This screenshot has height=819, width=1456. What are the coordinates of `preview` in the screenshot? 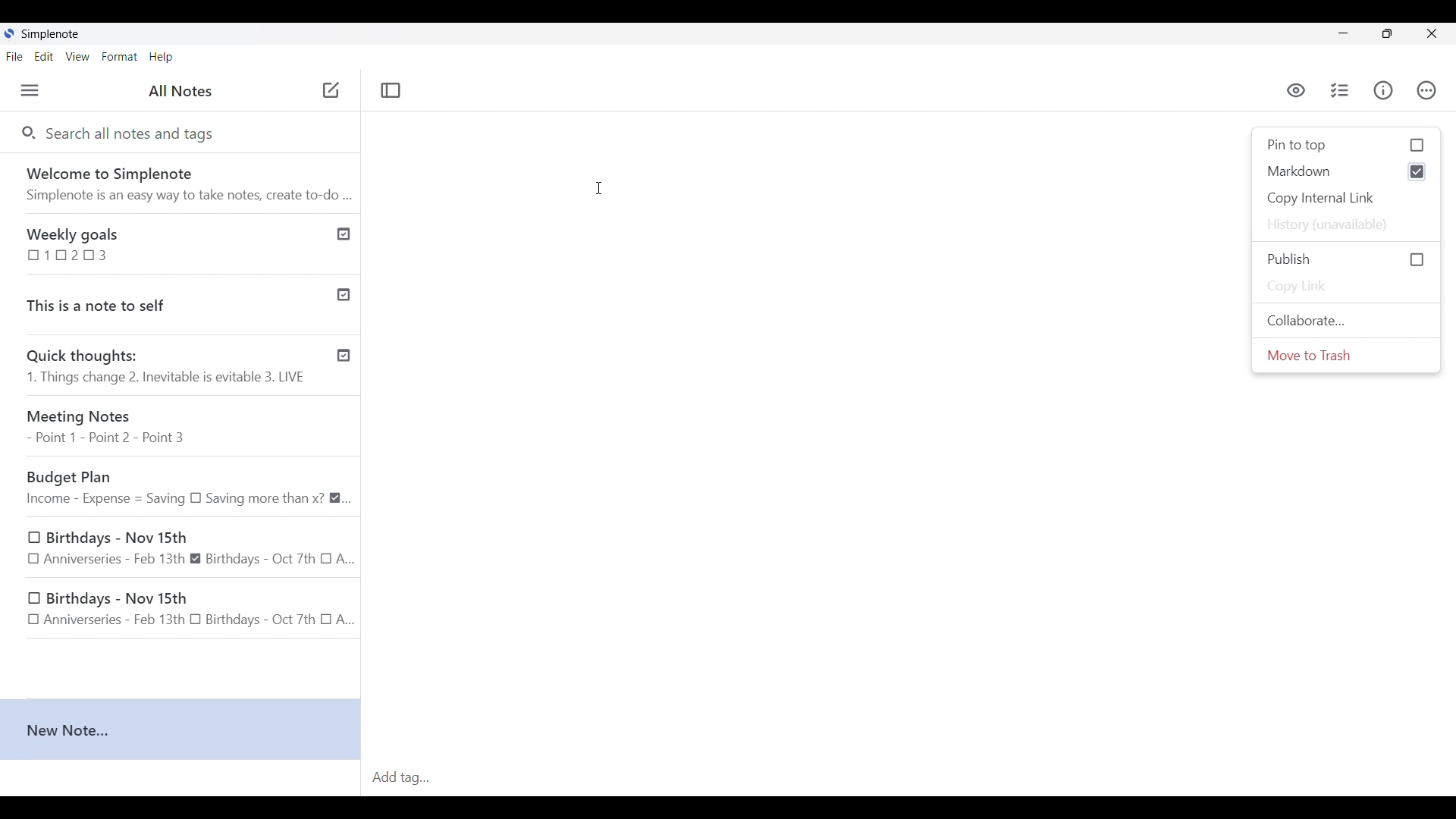 It's located at (1296, 91).